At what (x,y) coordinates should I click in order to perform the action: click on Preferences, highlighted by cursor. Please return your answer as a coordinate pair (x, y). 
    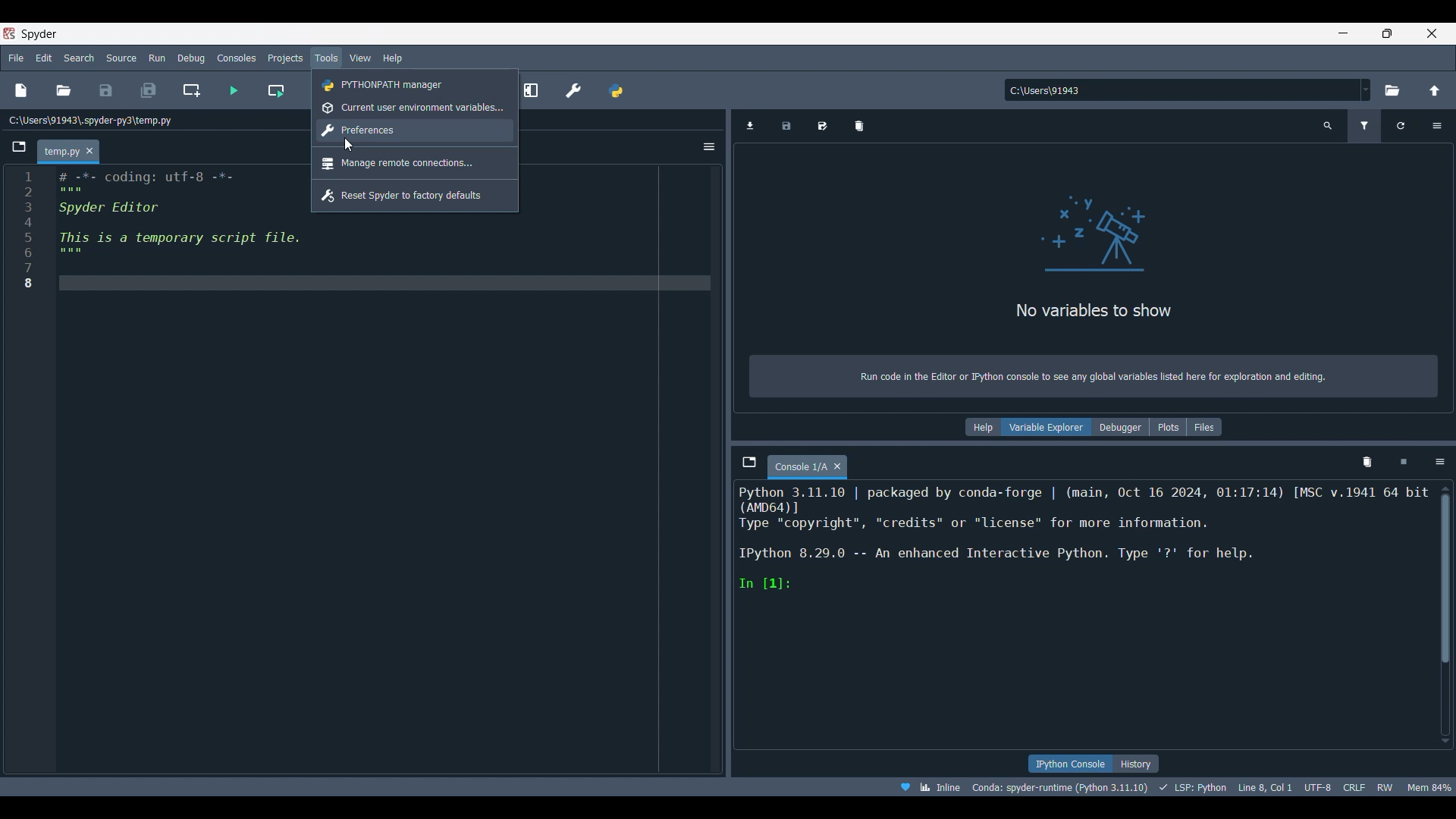
    Looking at the image, I should click on (414, 130).